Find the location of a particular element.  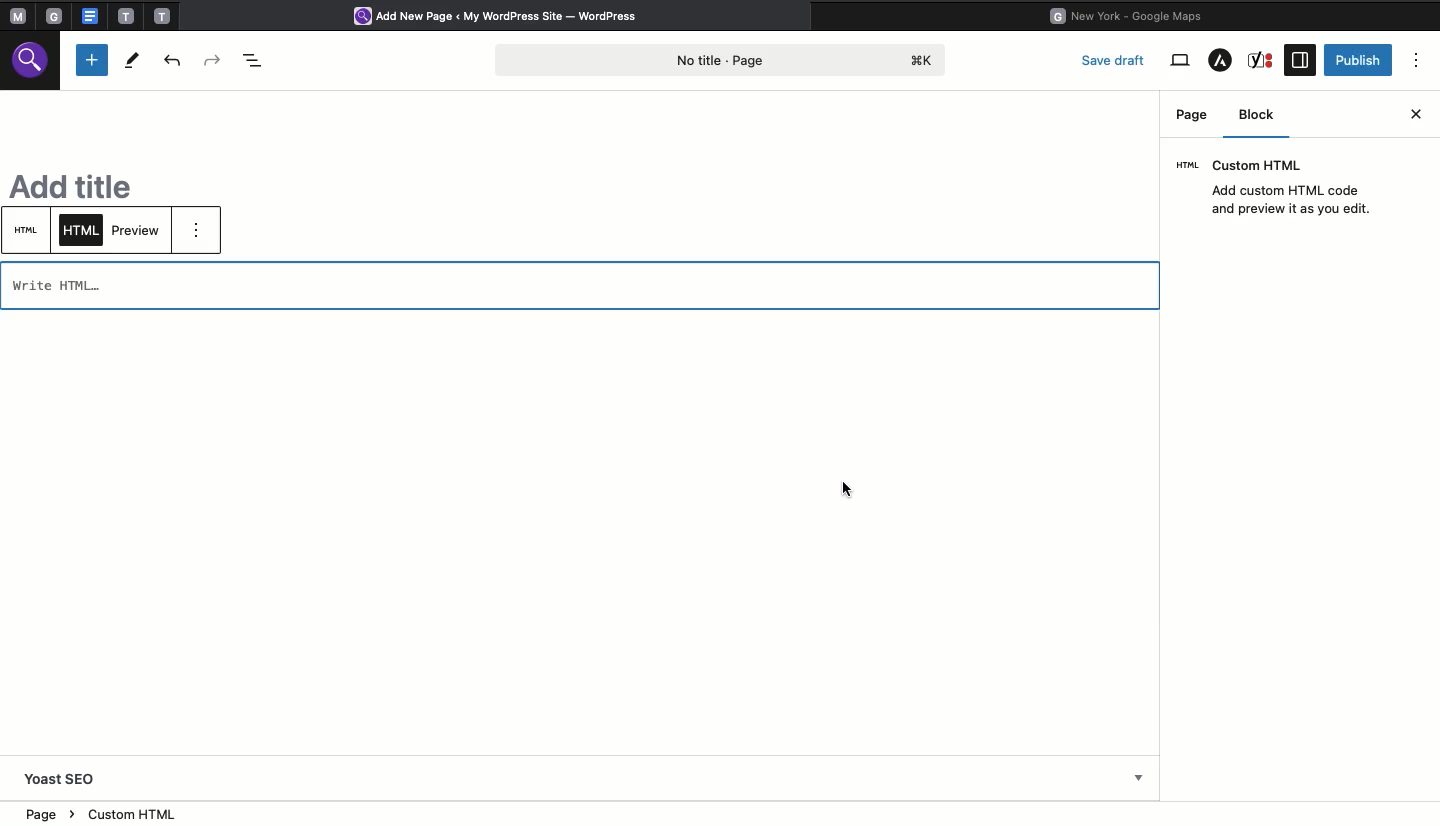

Save draft is located at coordinates (1116, 59).